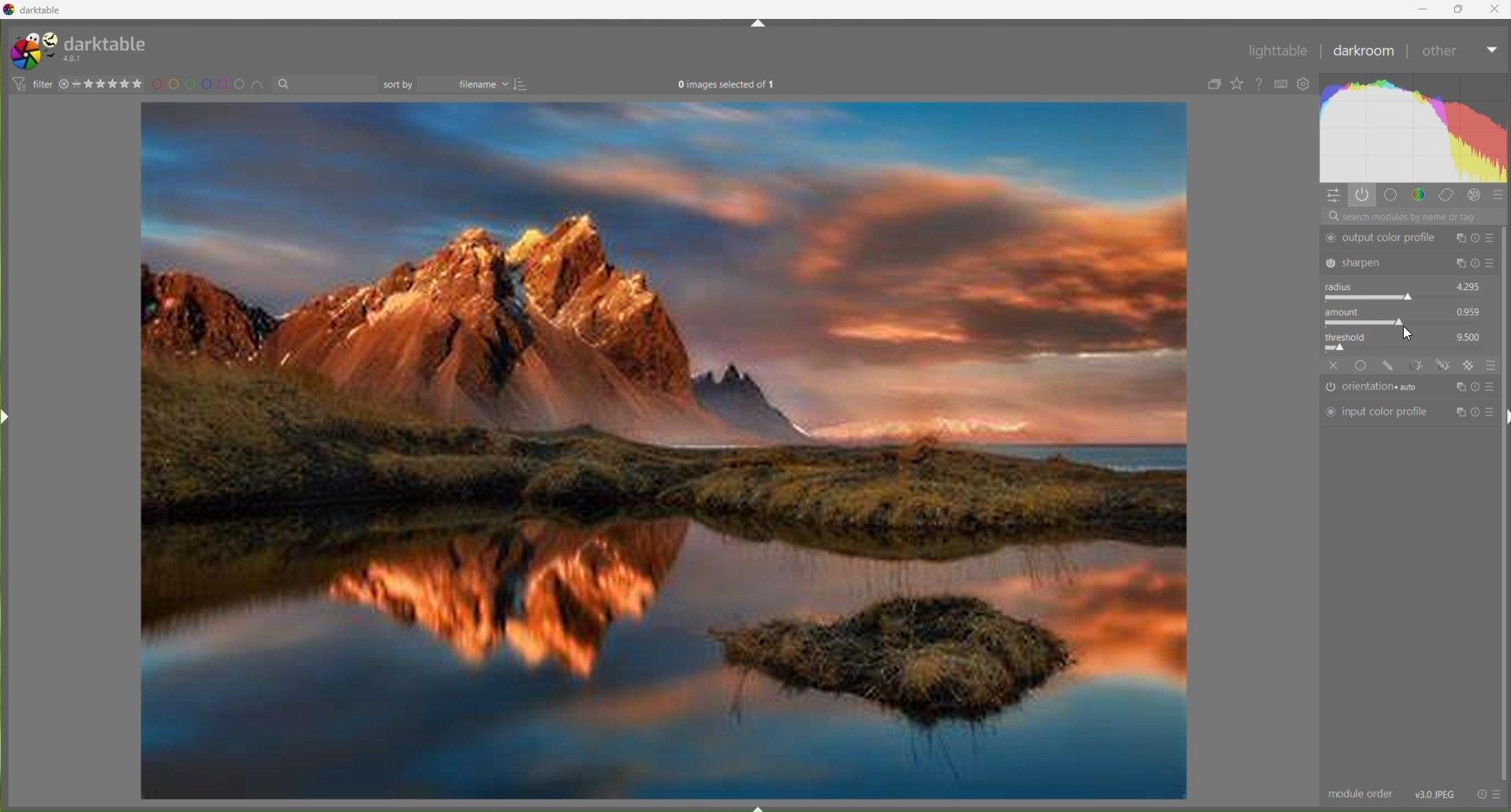  What do you see at coordinates (64, 84) in the screenshot?
I see `close` at bounding box center [64, 84].